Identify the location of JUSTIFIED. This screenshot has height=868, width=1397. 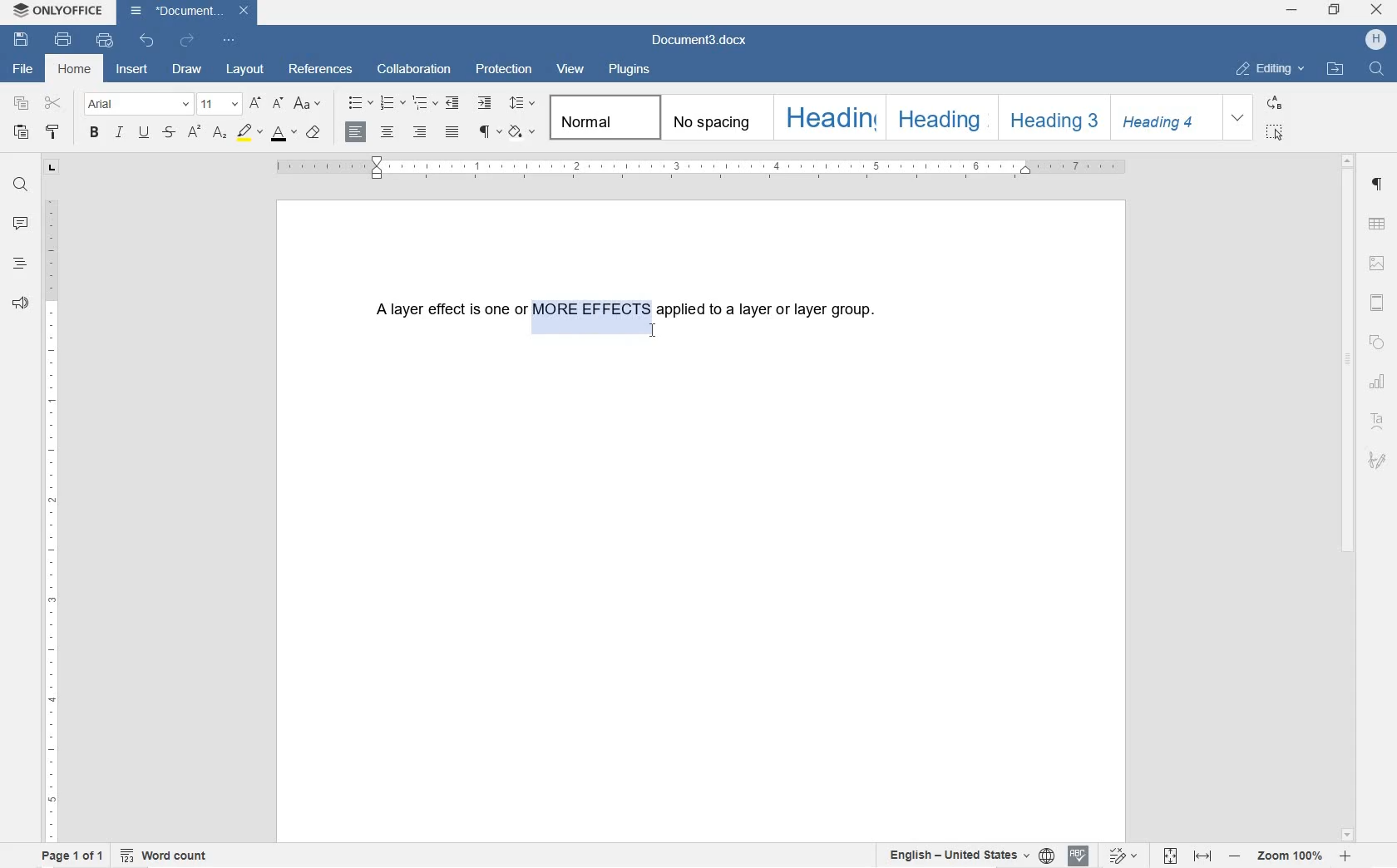
(452, 133).